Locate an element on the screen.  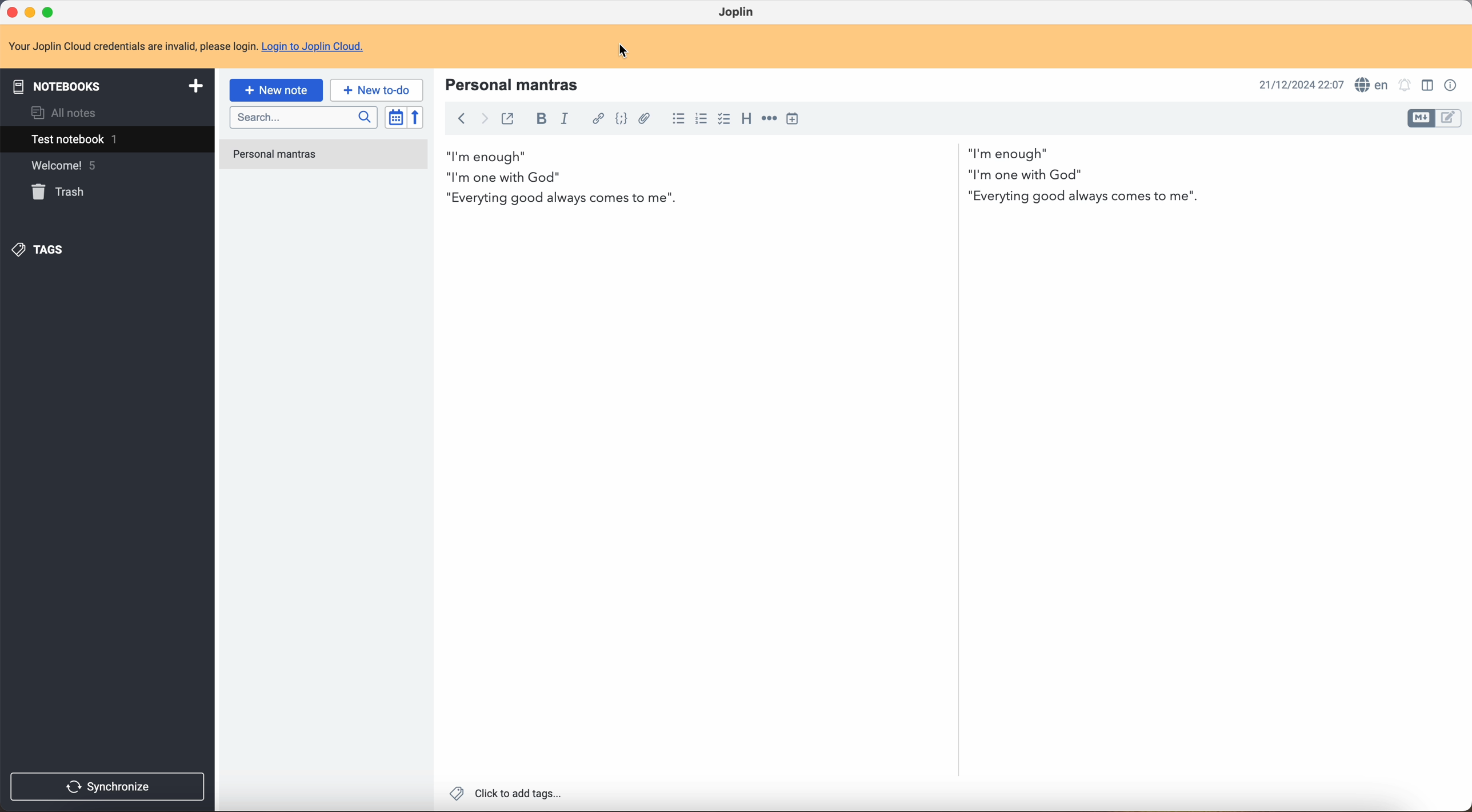
date and hour is located at coordinates (1299, 85).